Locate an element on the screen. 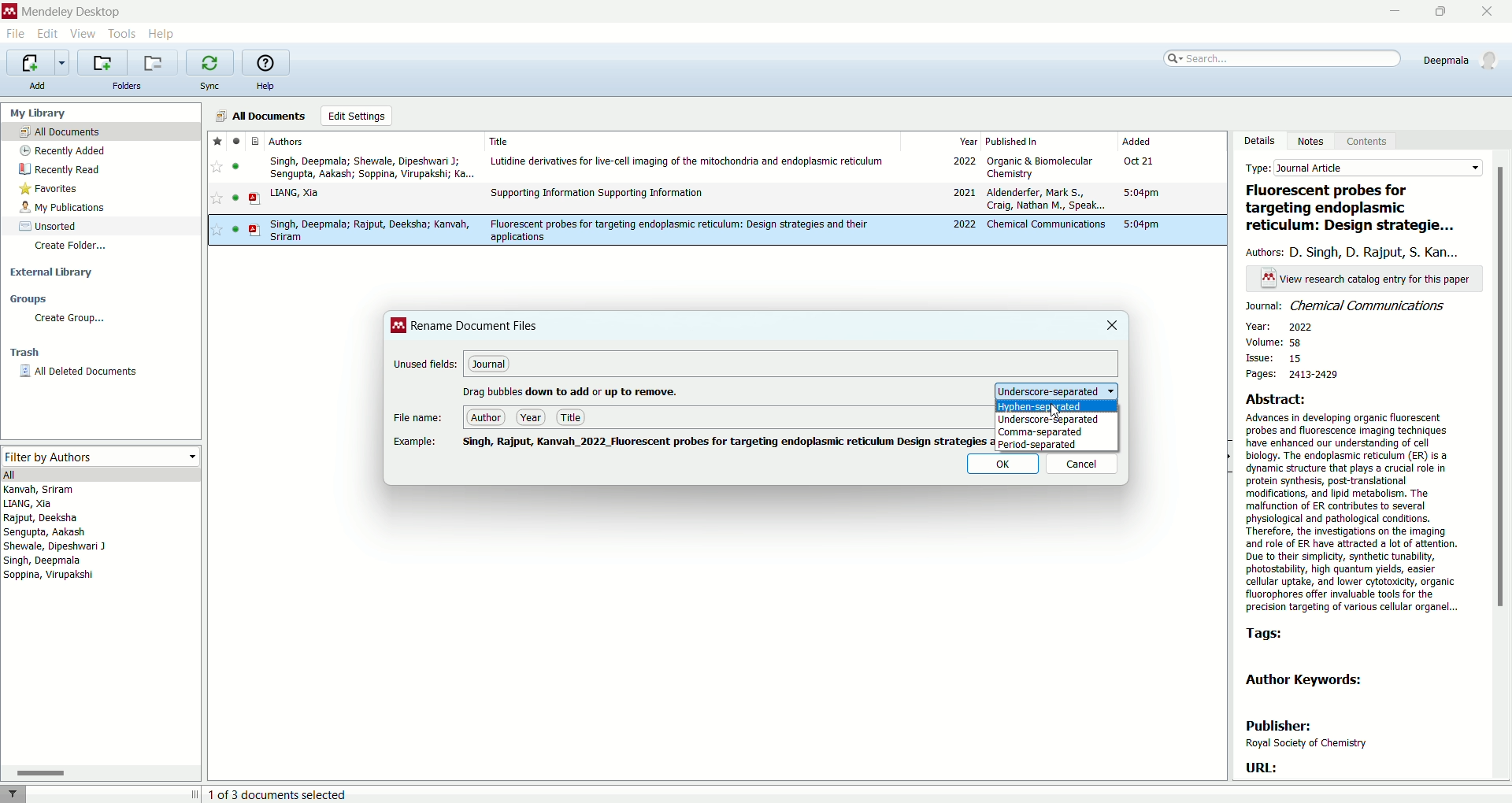  account is located at coordinates (1458, 59).